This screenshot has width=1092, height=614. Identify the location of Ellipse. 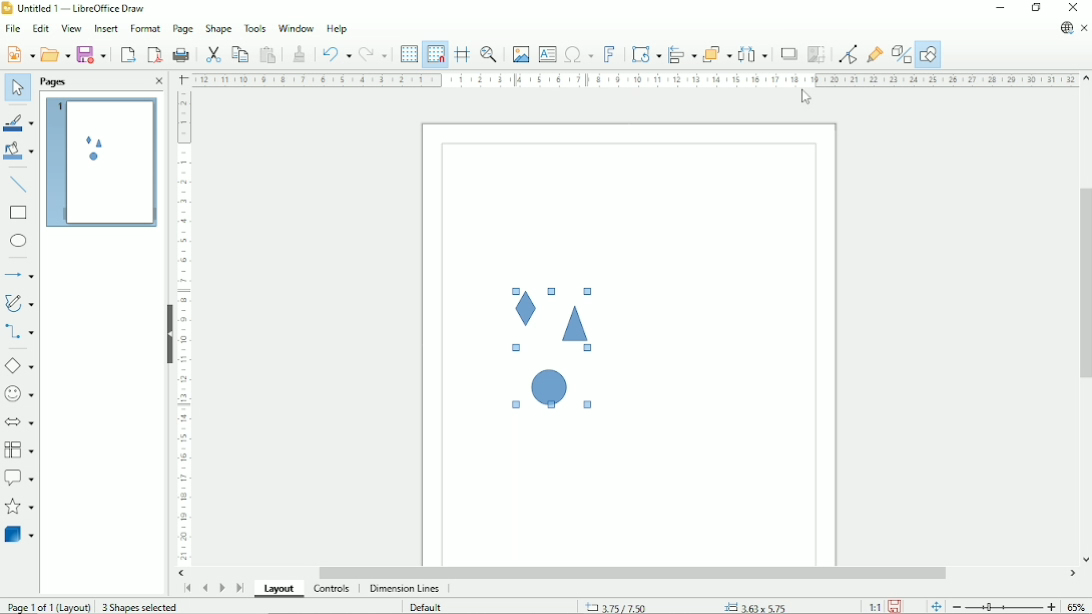
(18, 242).